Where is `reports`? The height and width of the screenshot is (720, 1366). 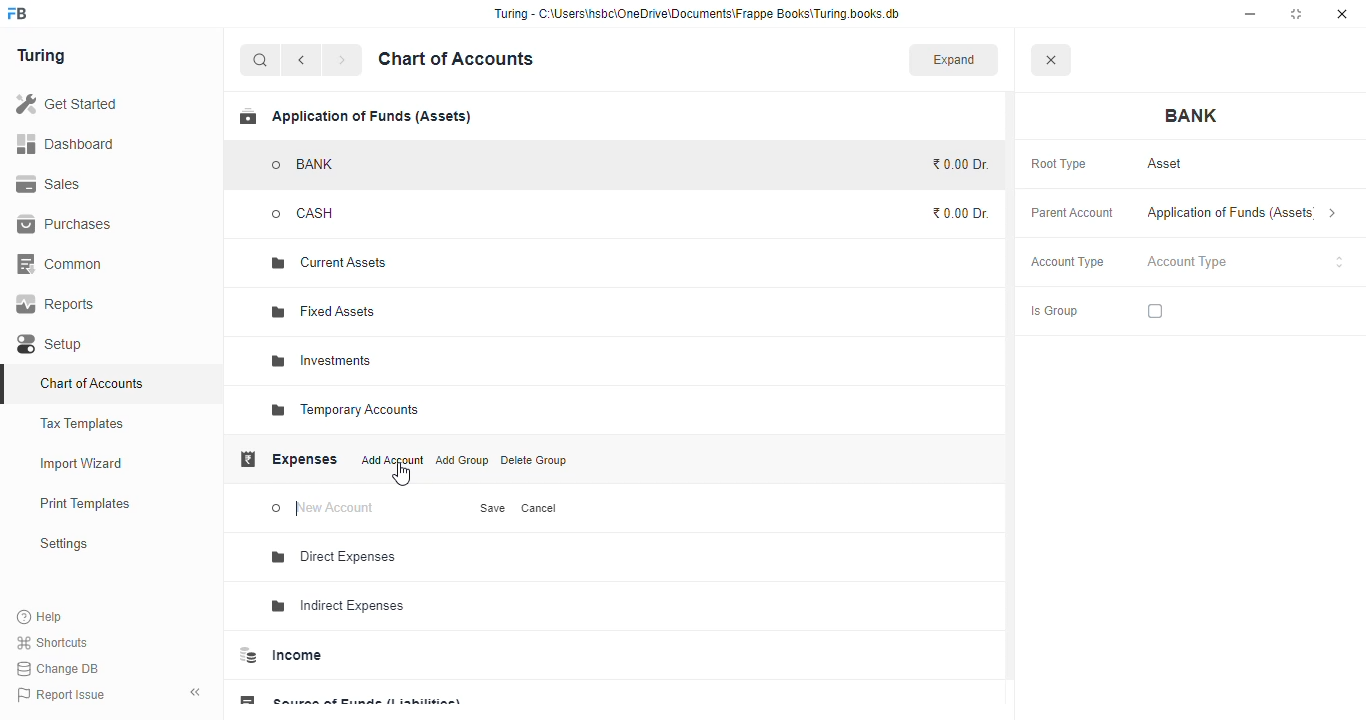 reports is located at coordinates (56, 304).